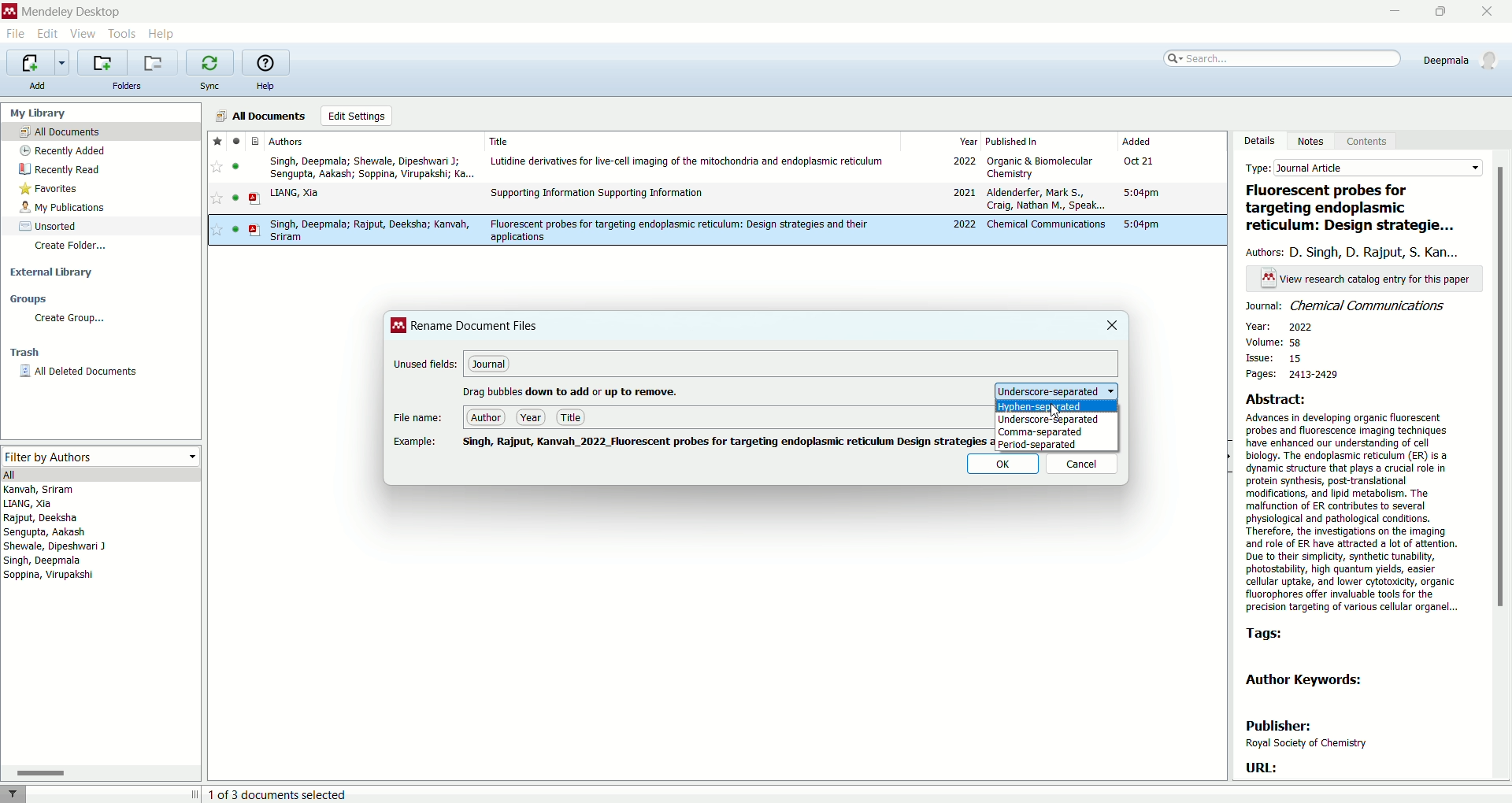 The height and width of the screenshot is (803, 1512). I want to click on folders, so click(128, 87).